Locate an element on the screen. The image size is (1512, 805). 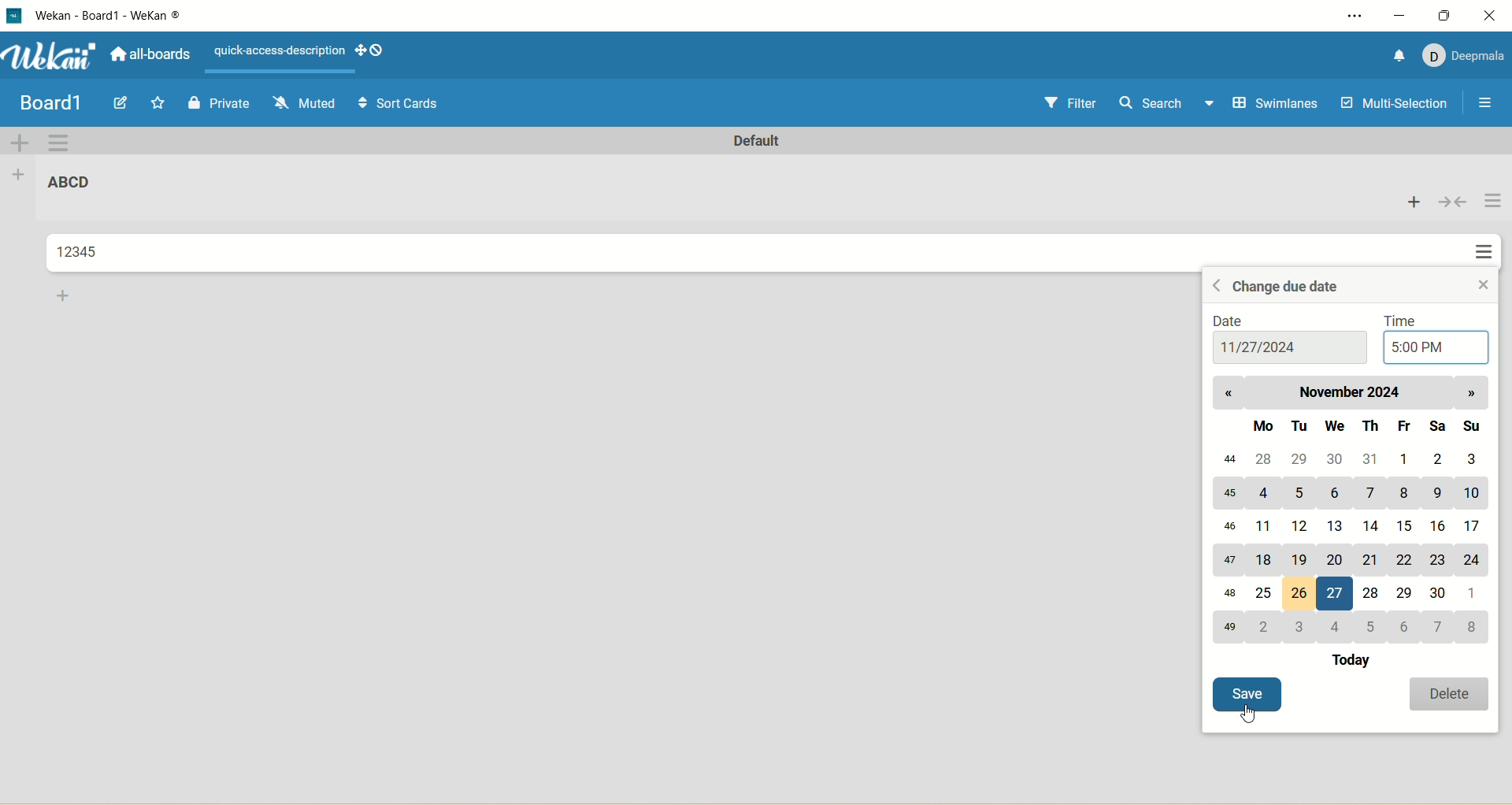
add is located at coordinates (1415, 201).